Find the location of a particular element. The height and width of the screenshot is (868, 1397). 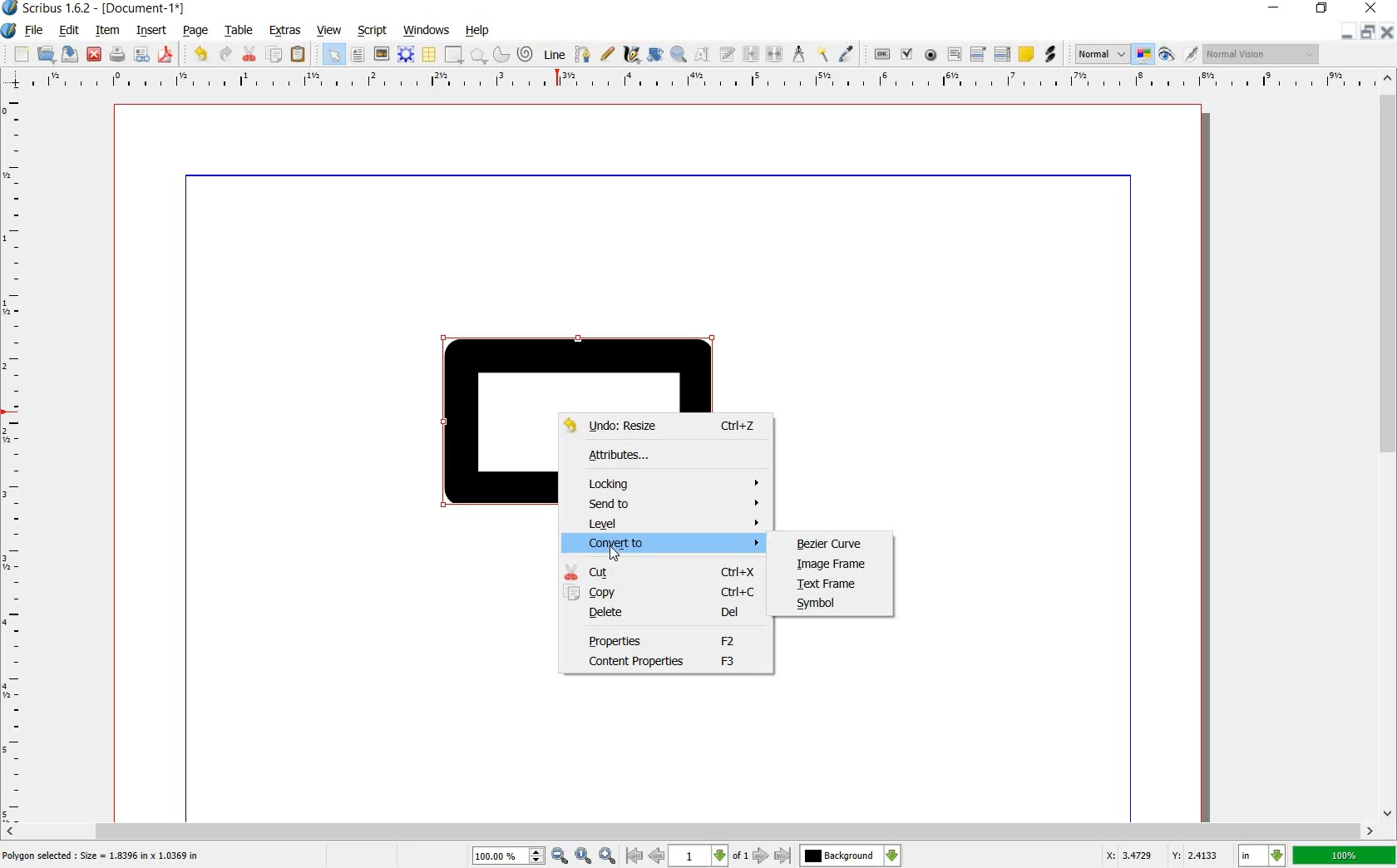

ATTRIBUTES is located at coordinates (648, 458).